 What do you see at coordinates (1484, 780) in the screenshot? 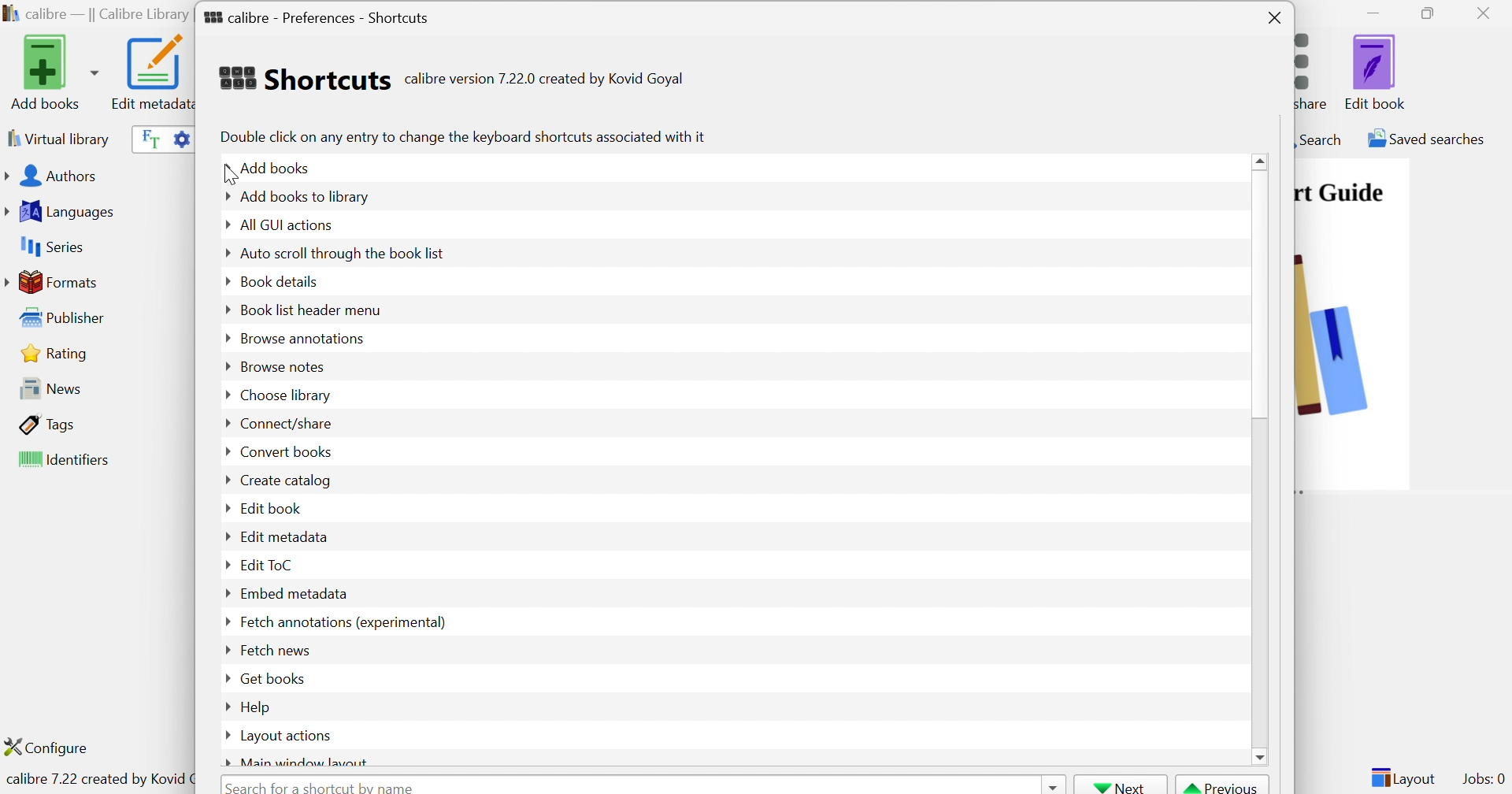
I see `Jobs: 0` at bounding box center [1484, 780].